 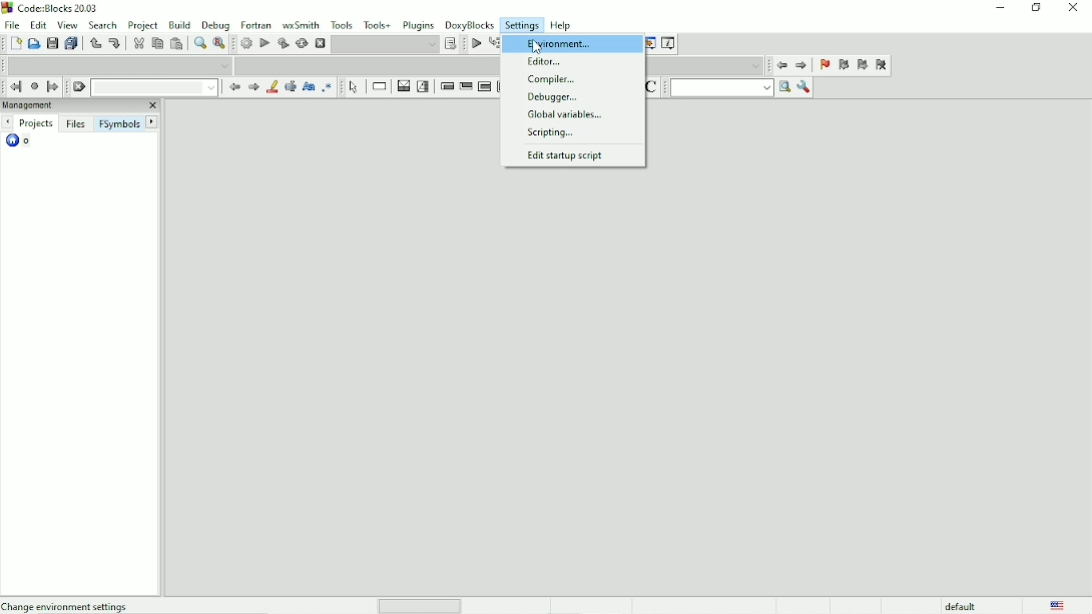 I want to click on Run to cursor, so click(x=493, y=43).